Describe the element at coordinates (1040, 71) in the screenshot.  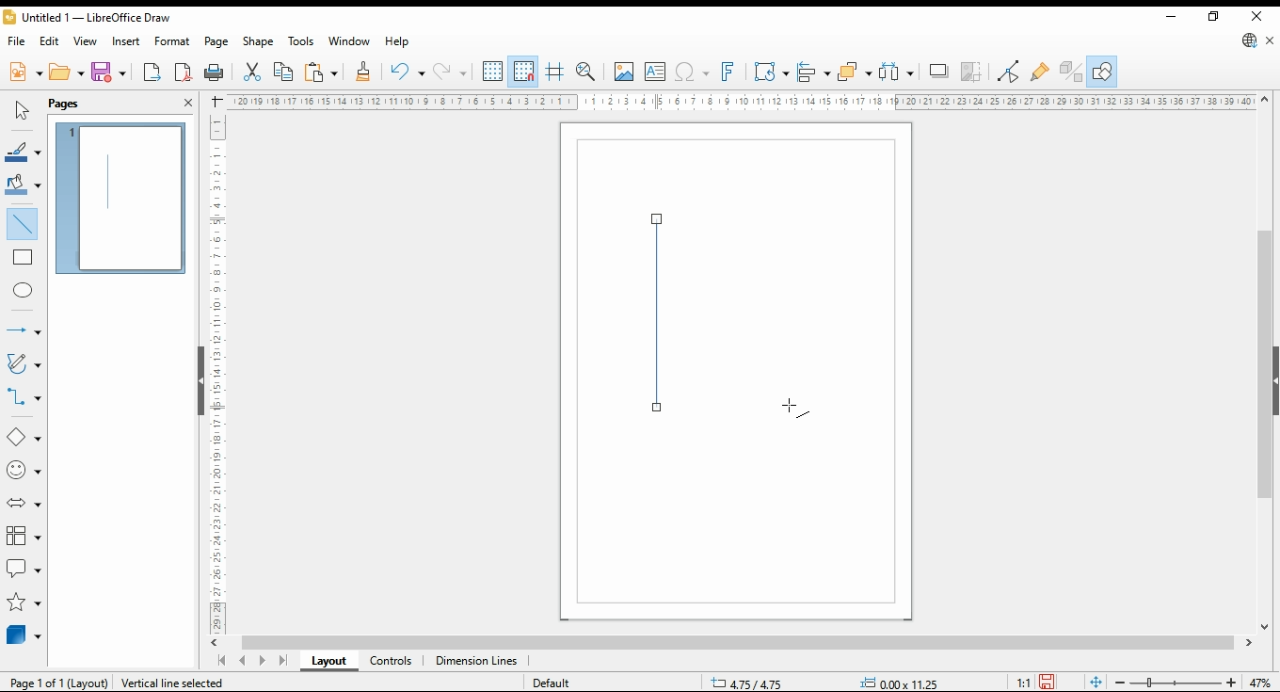
I see `show gluepoint functions` at that location.